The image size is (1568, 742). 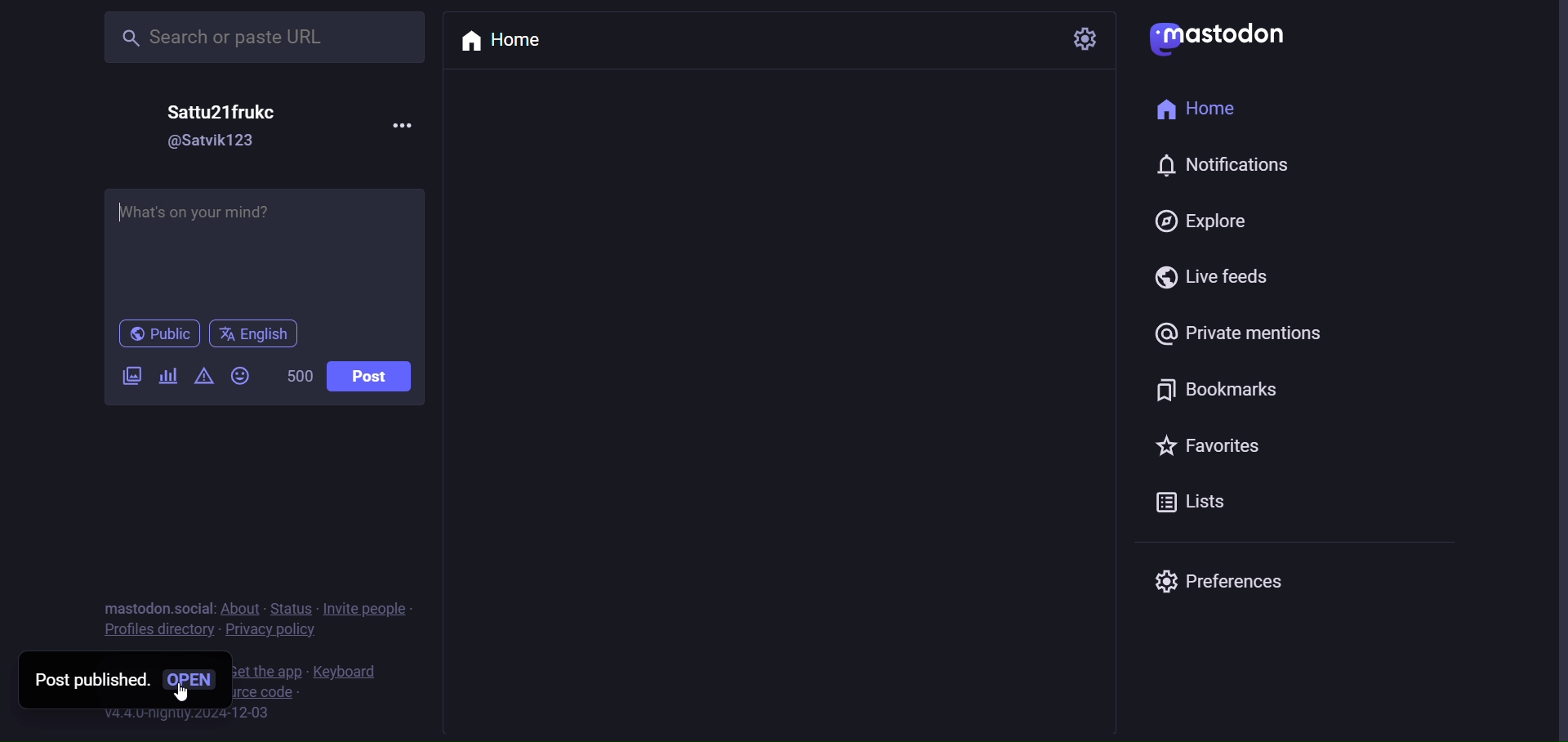 What do you see at coordinates (220, 111) in the screenshot?
I see `name` at bounding box center [220, 111].